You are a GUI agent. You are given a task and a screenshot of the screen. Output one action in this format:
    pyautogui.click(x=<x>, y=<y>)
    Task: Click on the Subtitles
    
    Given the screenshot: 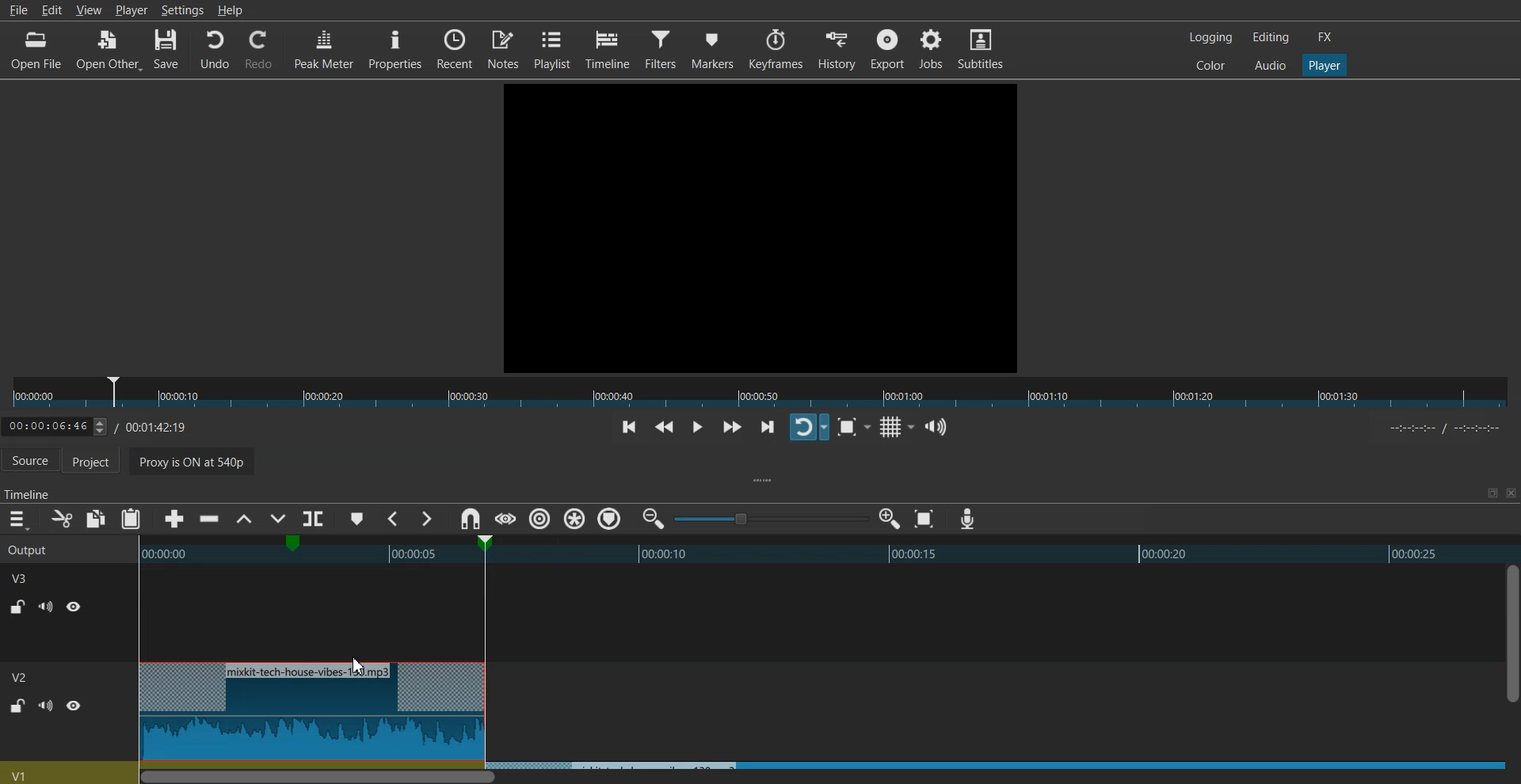 What is the action you would take?
    pyautogui.click(x=981, y=48)
    